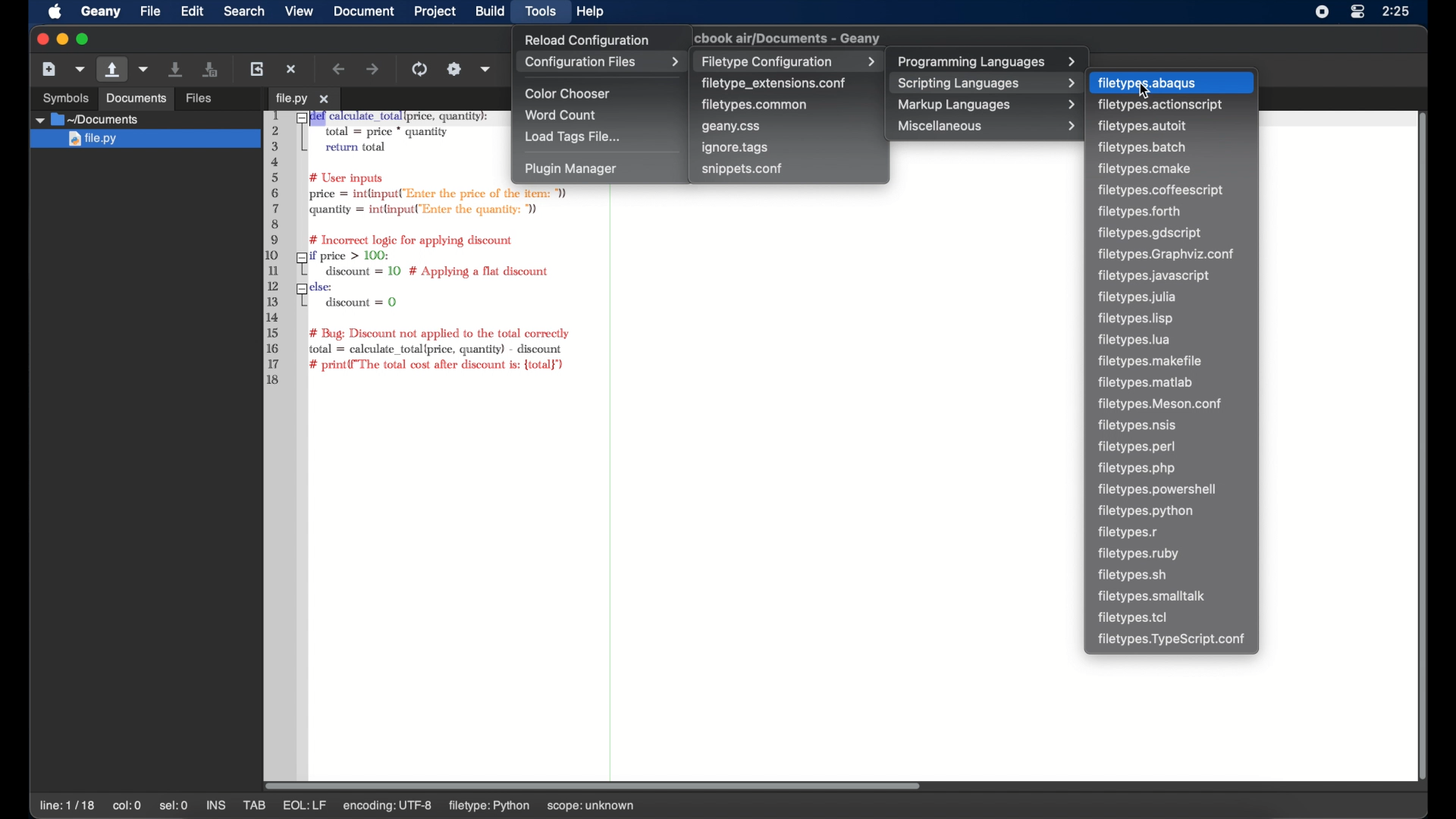 This screenshot has height=819, width=1456. What do you see at coordinates (374, 70) in the screenshot?
I see `navigate forward a location` at bounding box center [374, 70].